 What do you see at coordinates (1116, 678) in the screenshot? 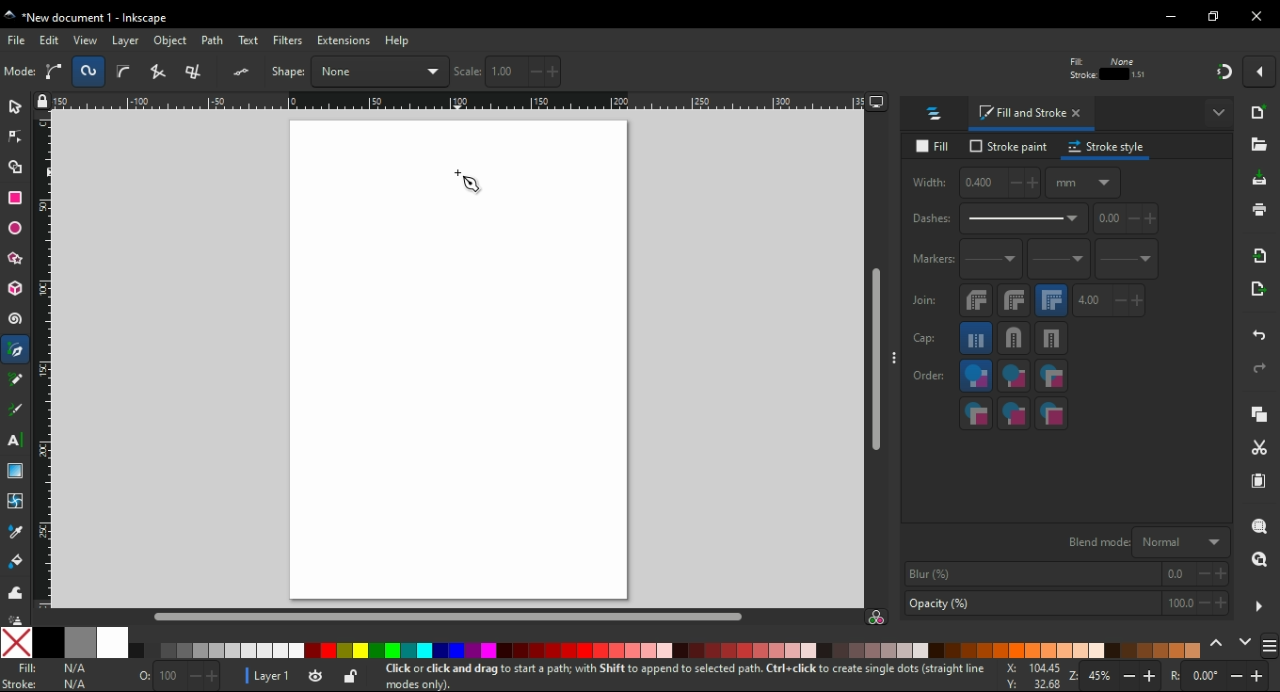
I see `zoom in/zoom out` at bounding box center [1116, 678].